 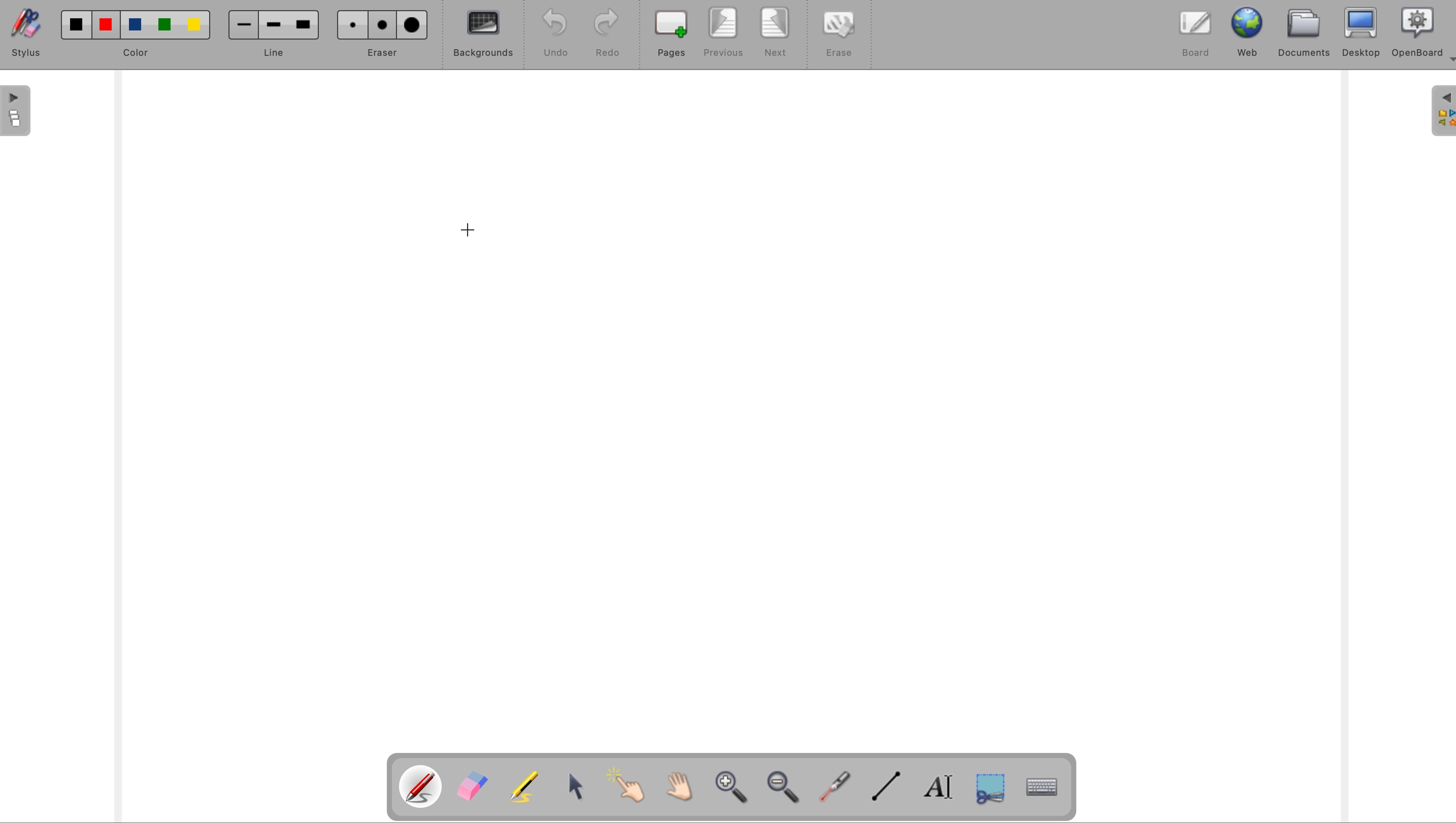 I want to click on scroll by hand, so click(x=675, y=787).